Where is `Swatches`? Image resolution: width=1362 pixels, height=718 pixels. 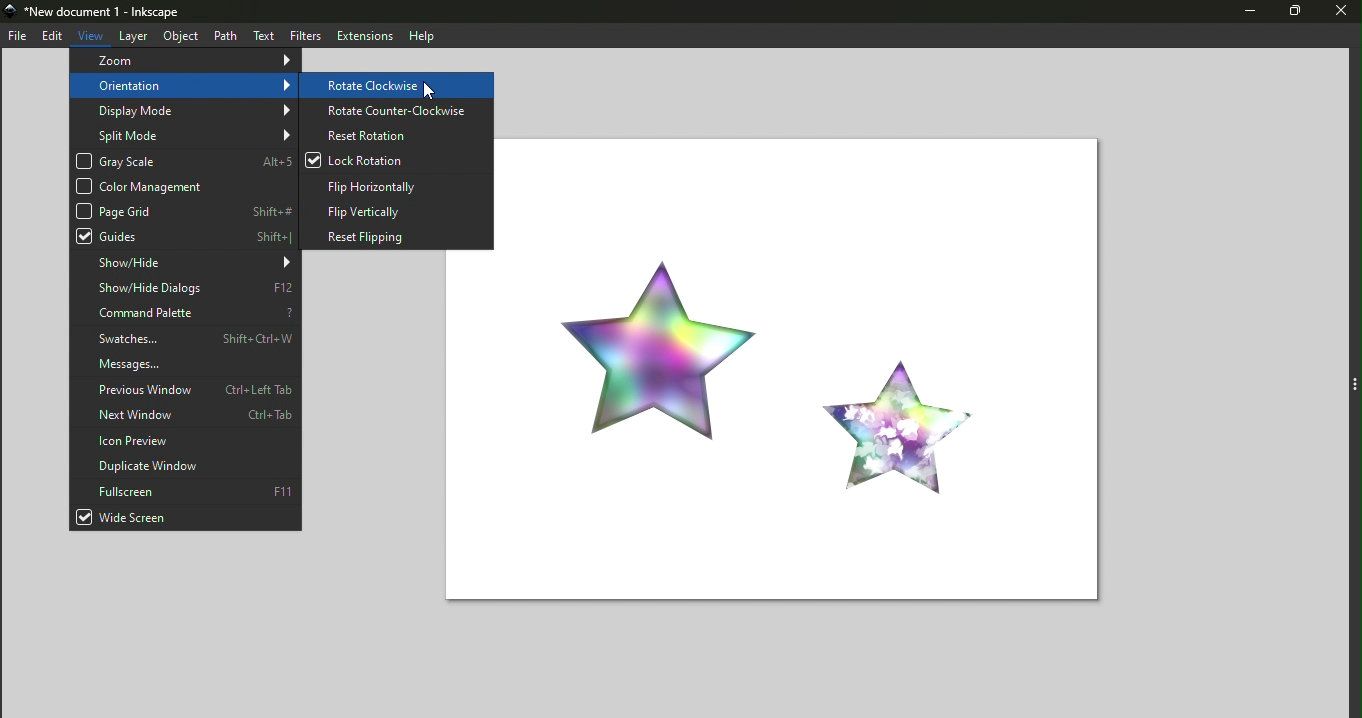 Swatches is located at coordinates (189, 338).